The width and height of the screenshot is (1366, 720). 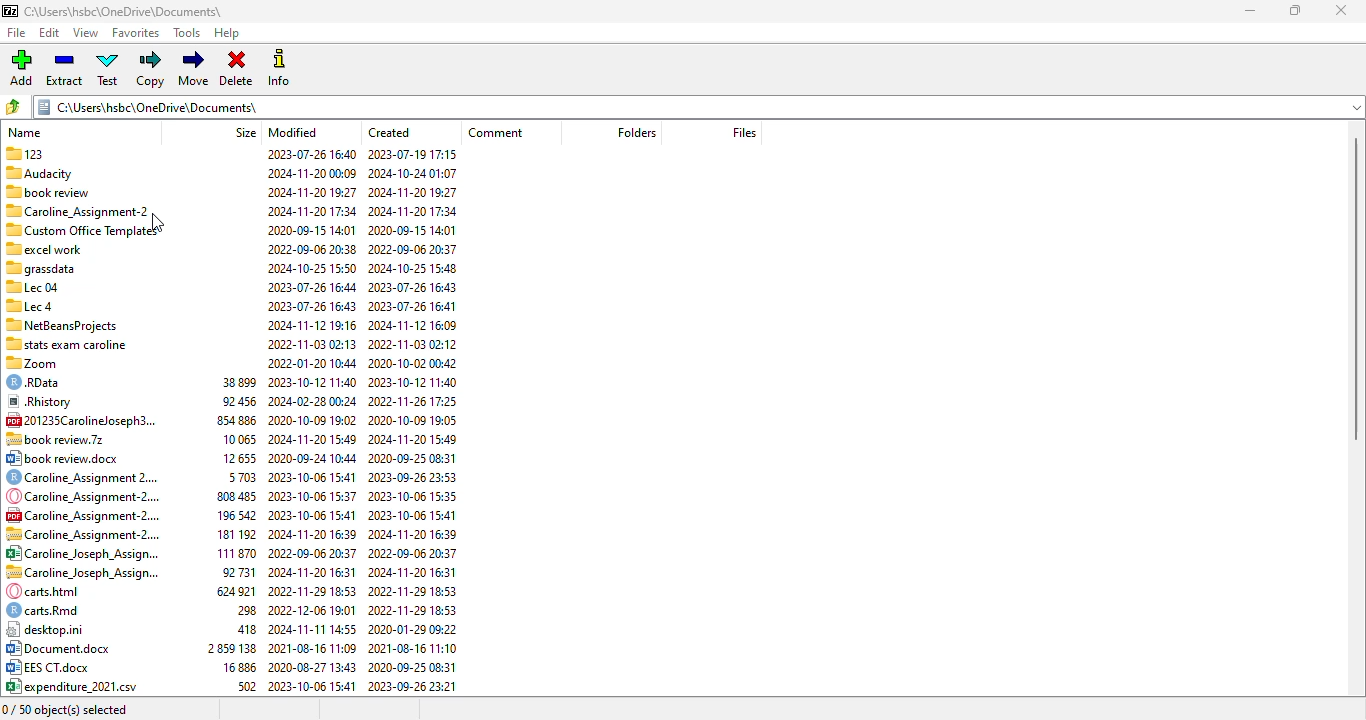 What do you see at coordinates (292, 132) in the screenshot?
I see `modified` at bounding box center [292, 132].